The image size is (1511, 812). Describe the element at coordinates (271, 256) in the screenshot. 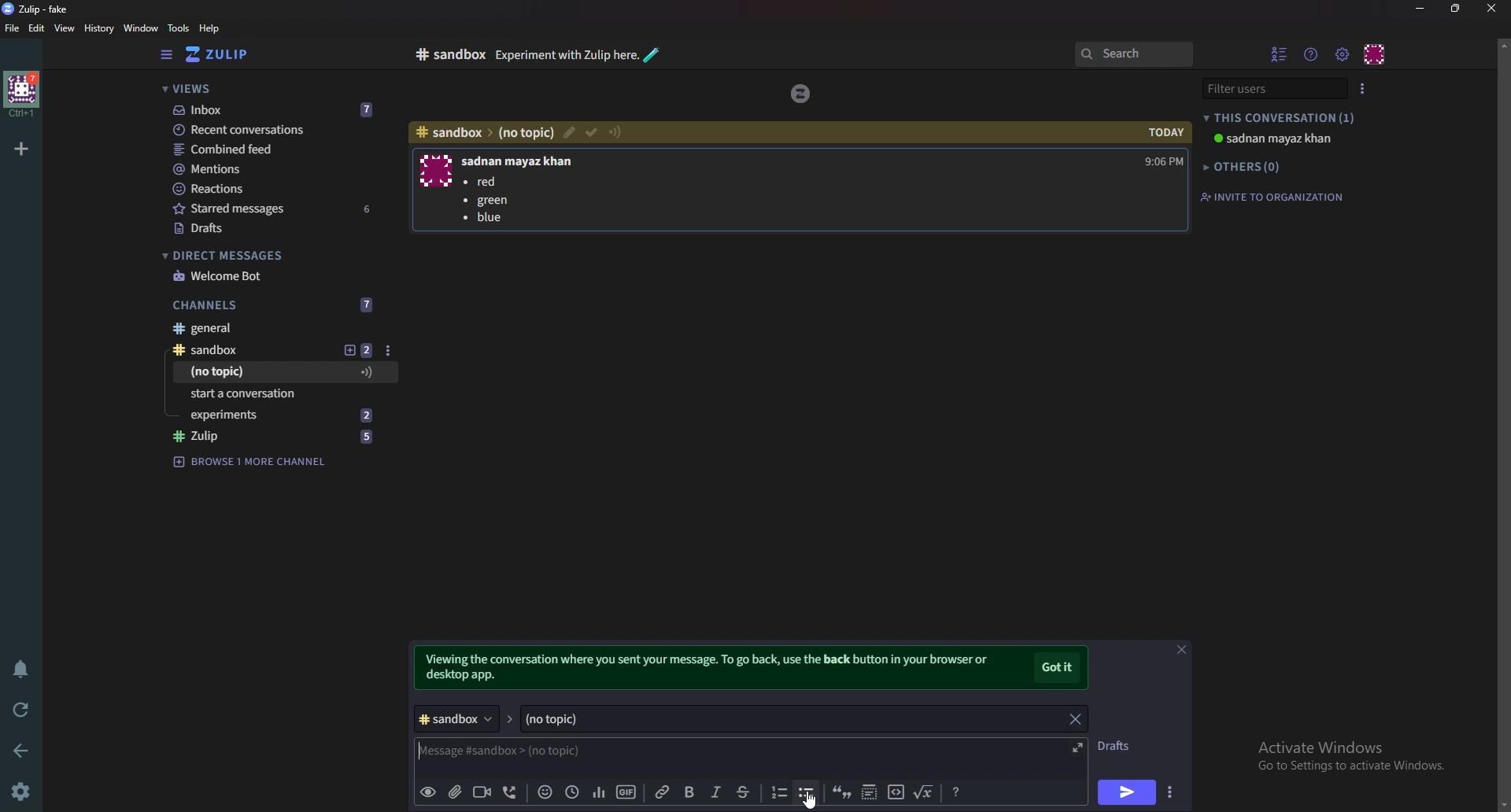

I see `Direct messages` at that location.